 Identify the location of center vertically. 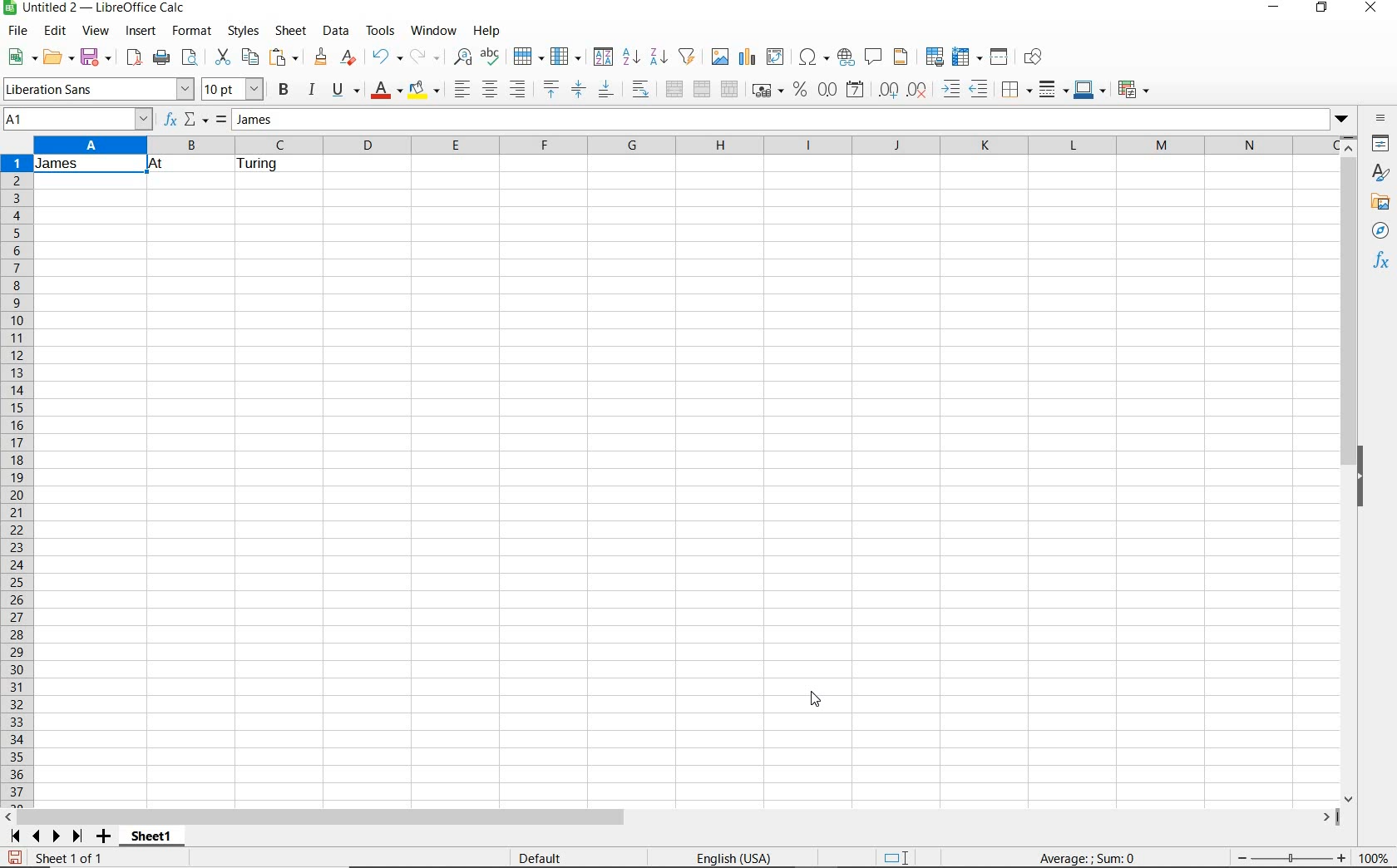
(580, 89).